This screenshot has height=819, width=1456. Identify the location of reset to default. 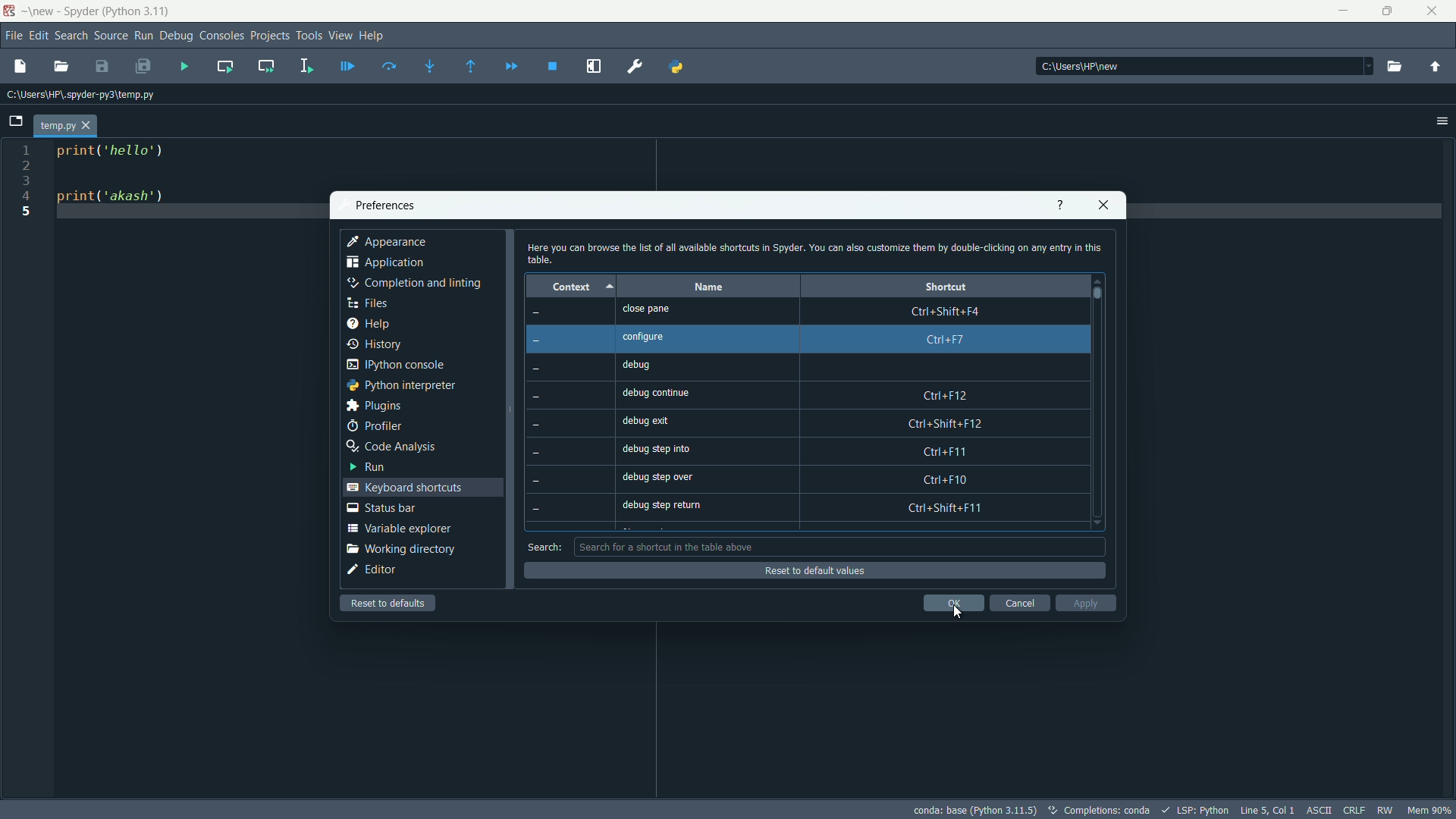
(389, 602).